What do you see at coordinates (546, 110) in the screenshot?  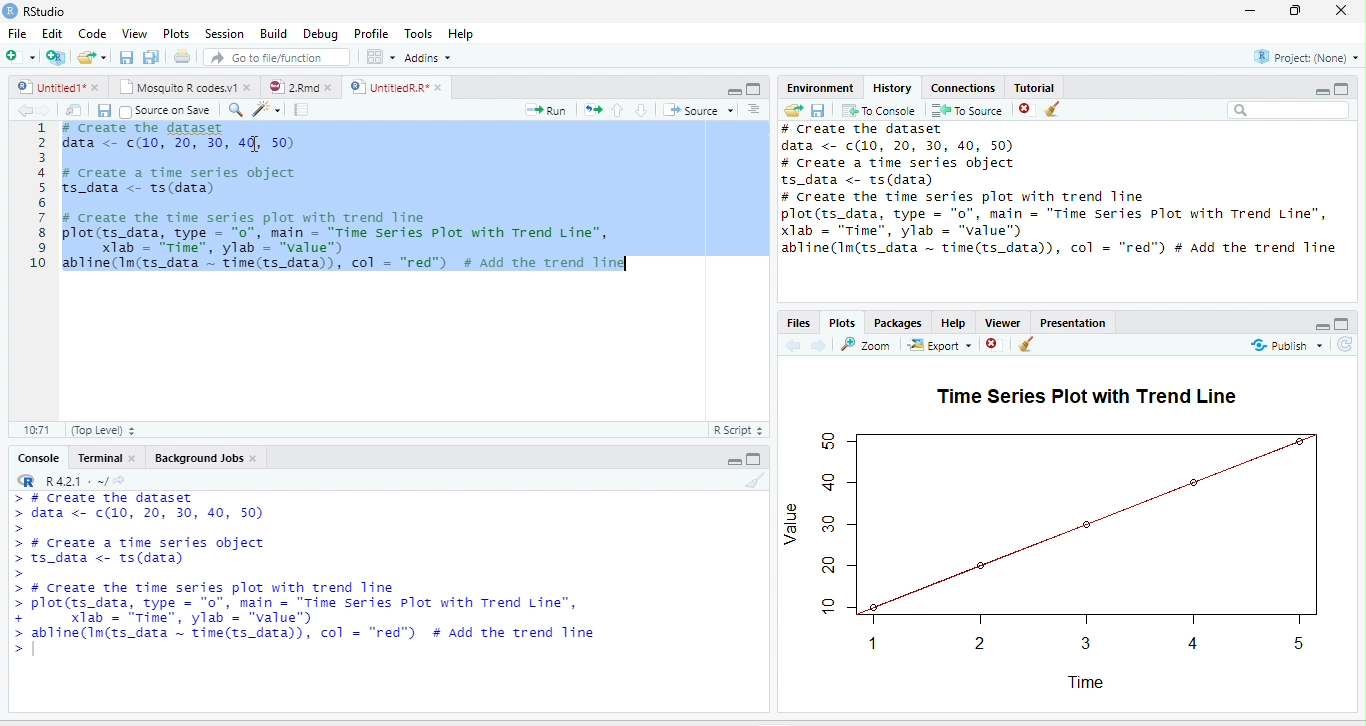 I see `Run` at bounding box center [546, 110].